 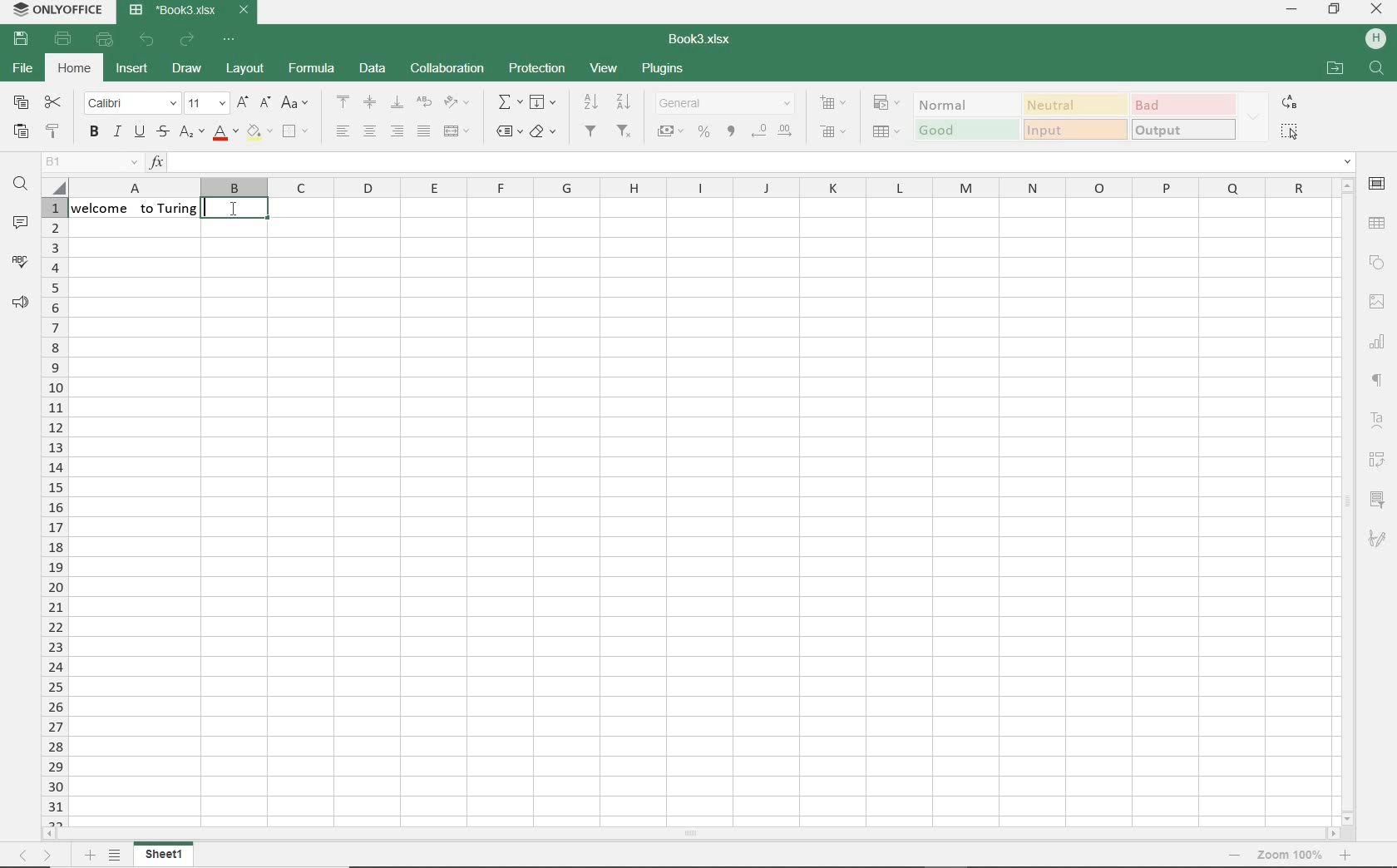 What do you see at coordinates (91, 162) in the screenshot?
I see `name manager` at bounding box center [91, 162].